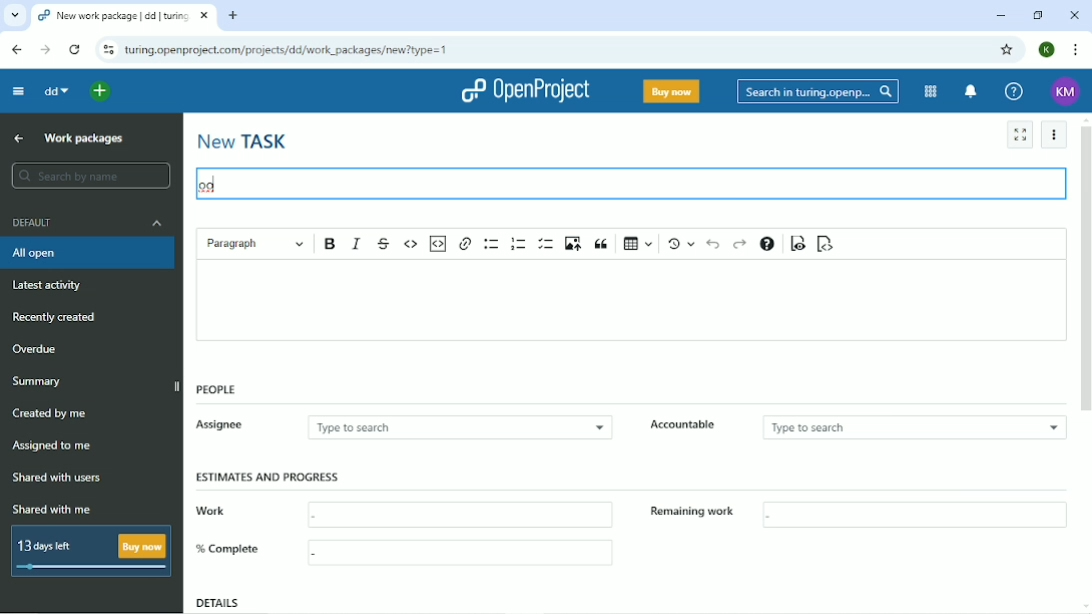  What do you see at coordinates (438, 244) in the screenshot?
I see `Insert code snippet` at bounding box center [438, 244].